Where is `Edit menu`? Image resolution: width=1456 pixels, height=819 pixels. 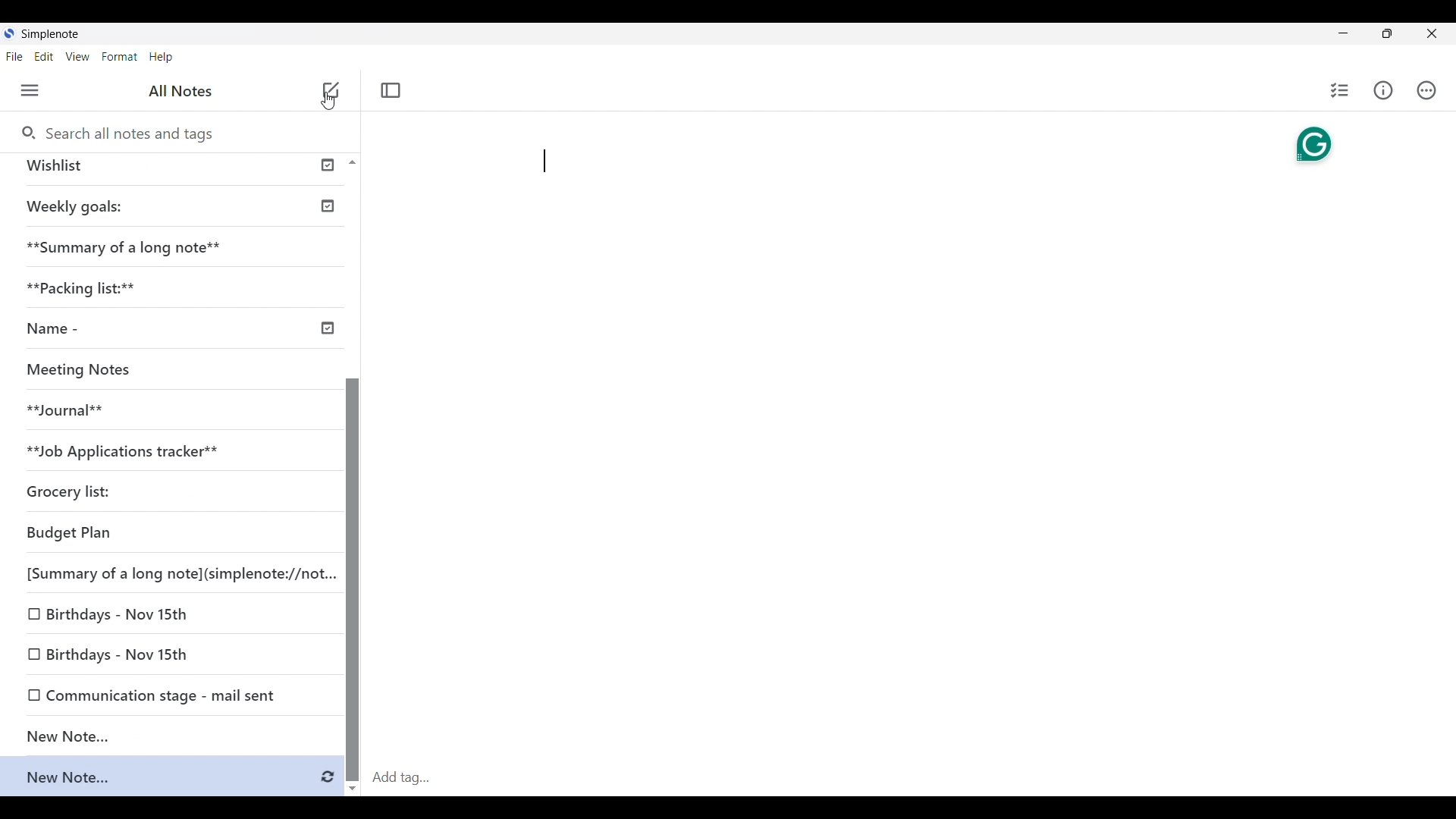
Edit menu is located at coordinates (44, 57).